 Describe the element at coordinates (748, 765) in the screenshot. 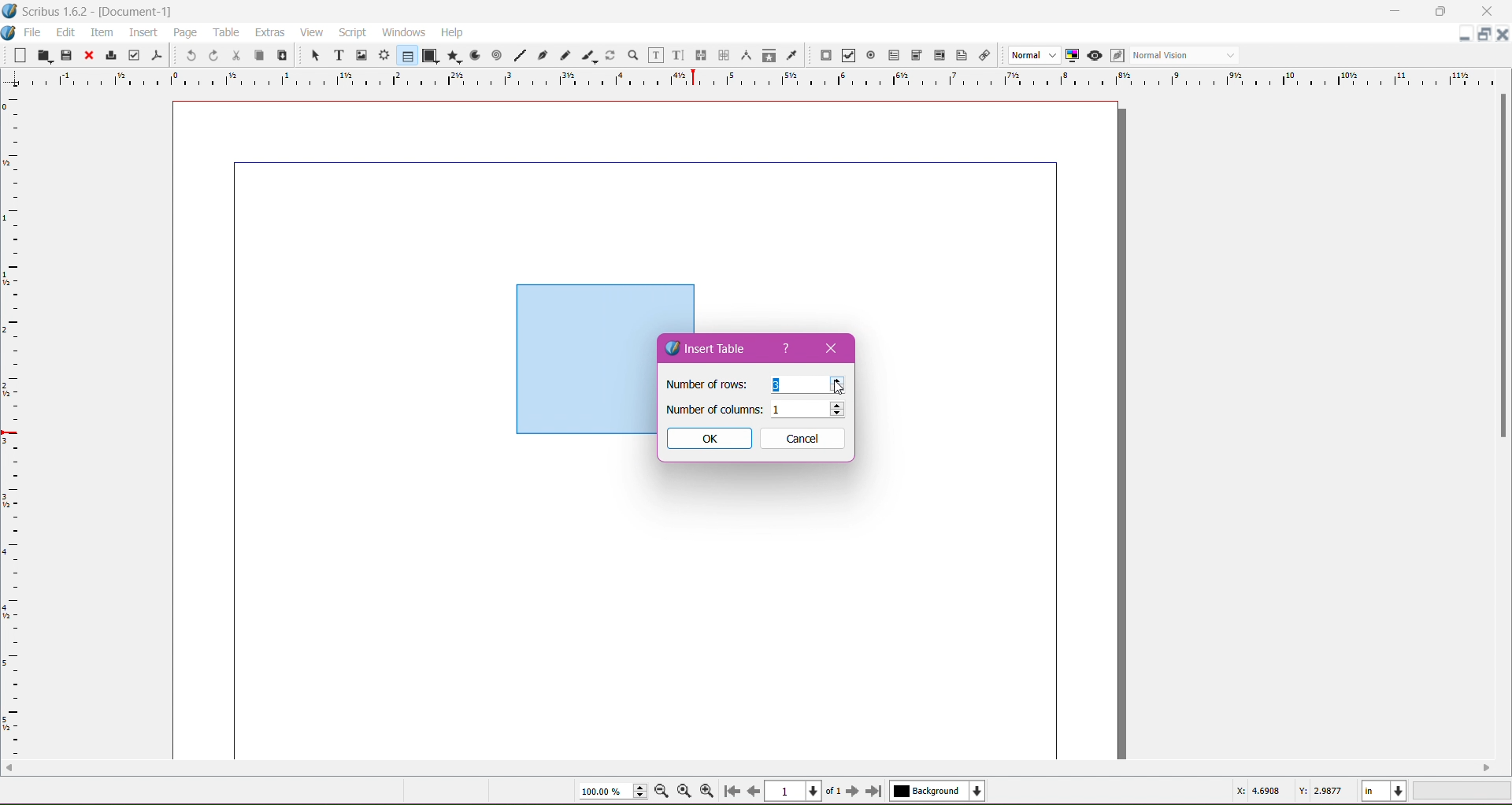

I see `scroll bar` at that location.